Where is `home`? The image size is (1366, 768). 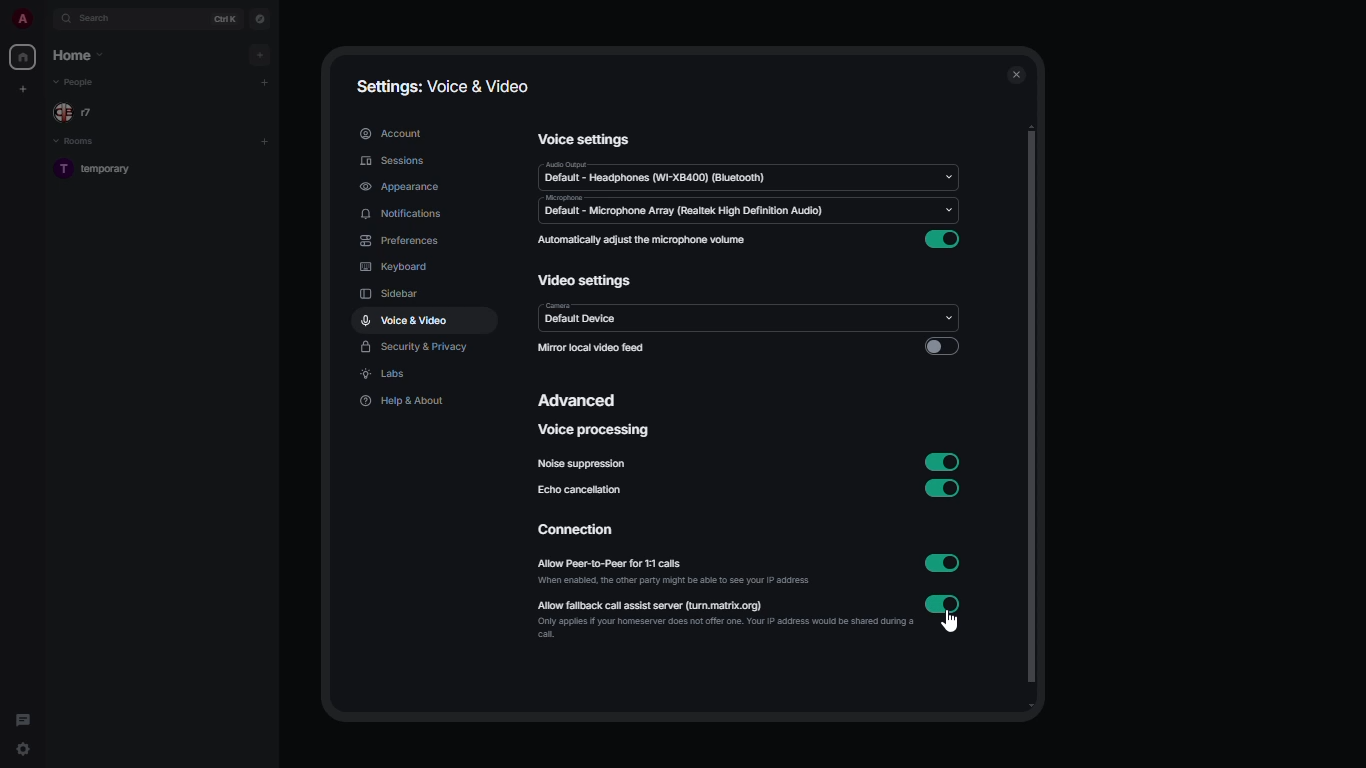
home is located at coordinates (77, 54).